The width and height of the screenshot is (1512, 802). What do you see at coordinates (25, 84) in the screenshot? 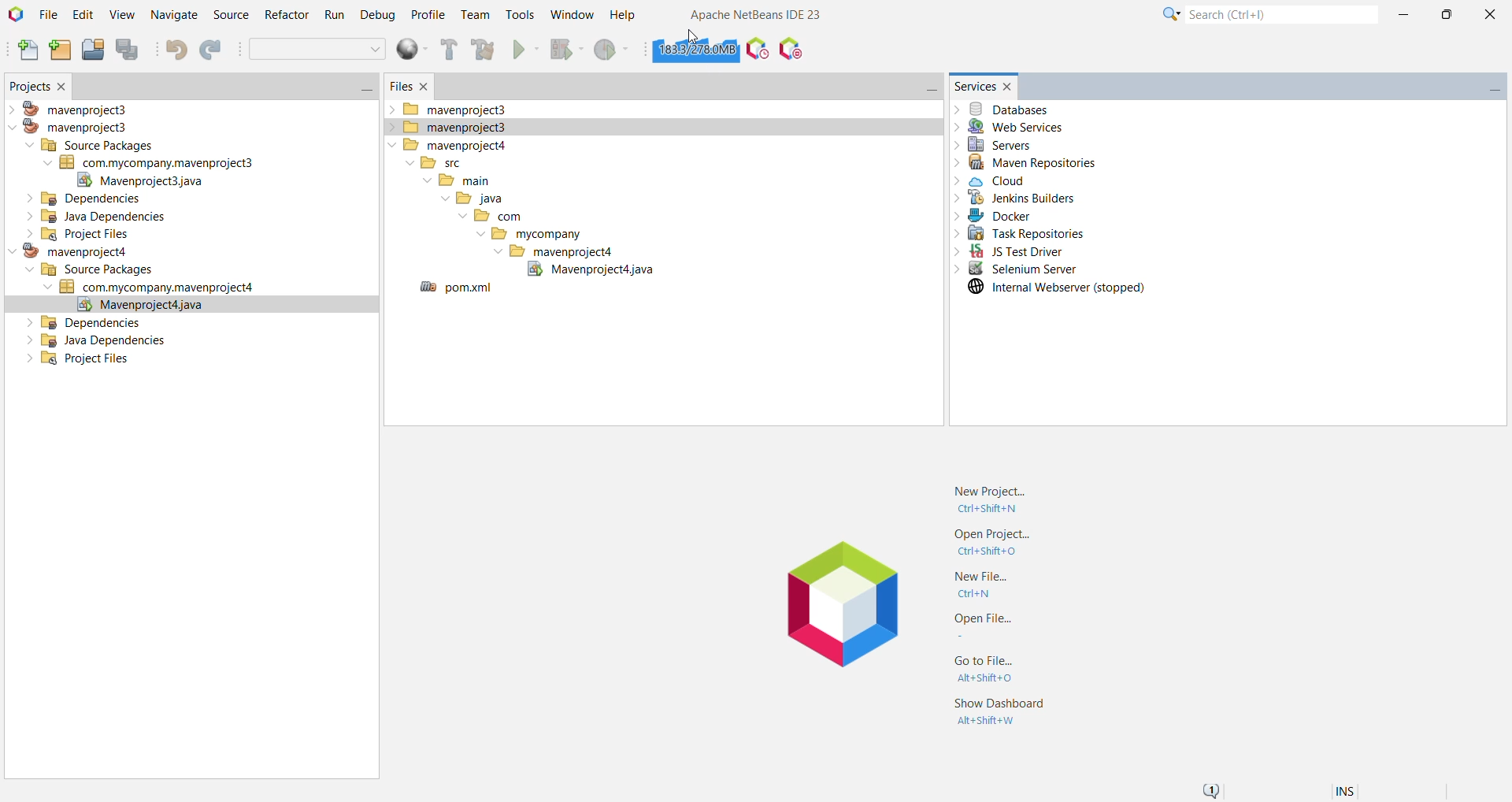
I see `Projects Window` at bounding box center [25, 84].